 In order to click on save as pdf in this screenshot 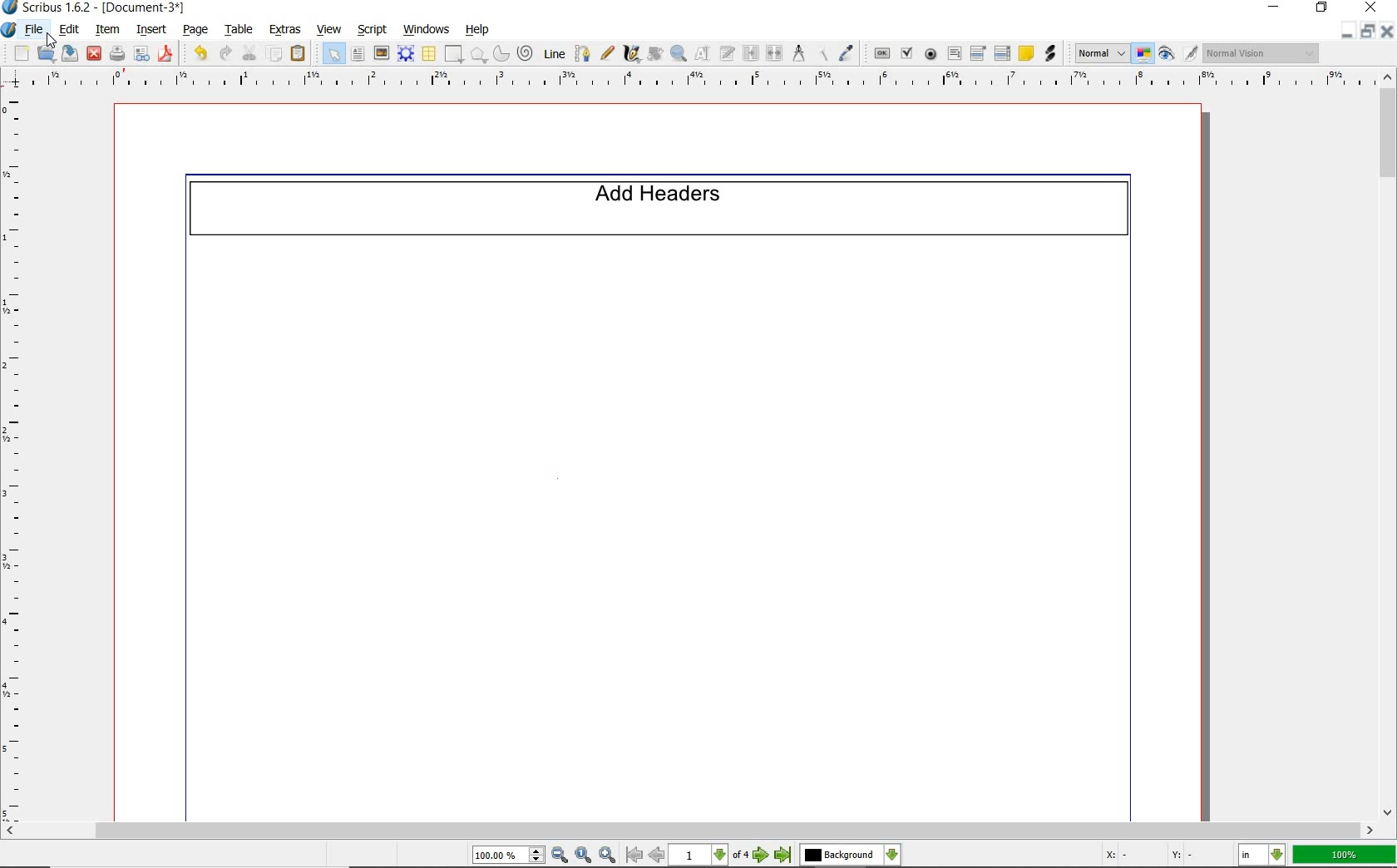, I will do `click(164, 54)`.